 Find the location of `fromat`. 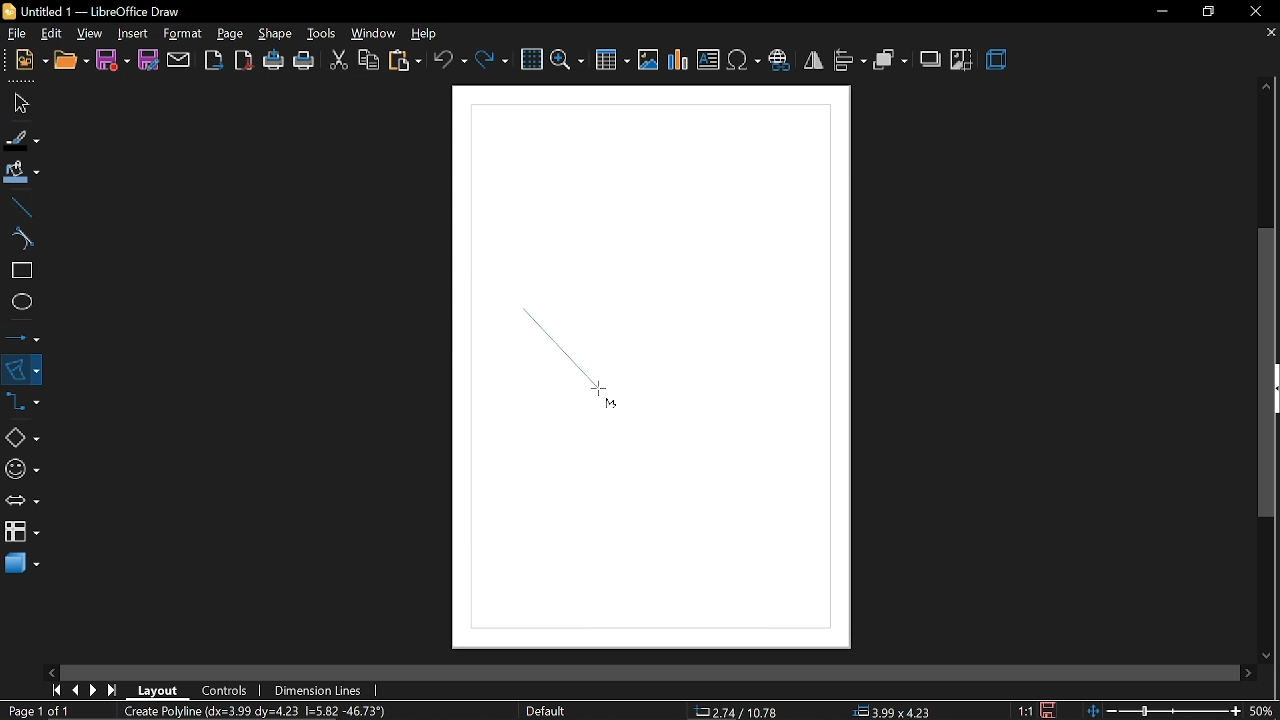

fromat is located at coordinates (182, 34).